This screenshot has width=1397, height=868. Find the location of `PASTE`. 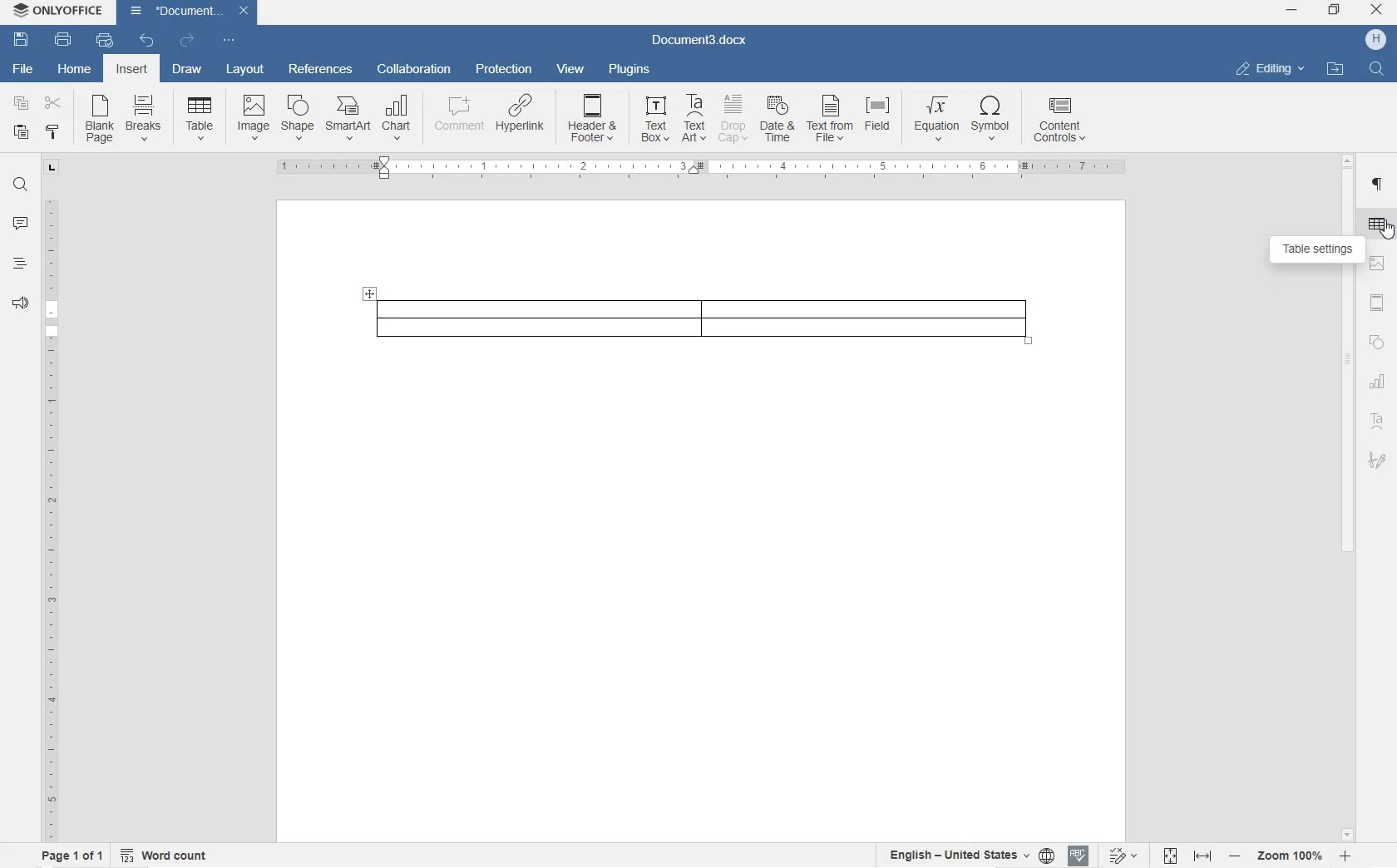

PASTE is located at coordinates (25, 133).